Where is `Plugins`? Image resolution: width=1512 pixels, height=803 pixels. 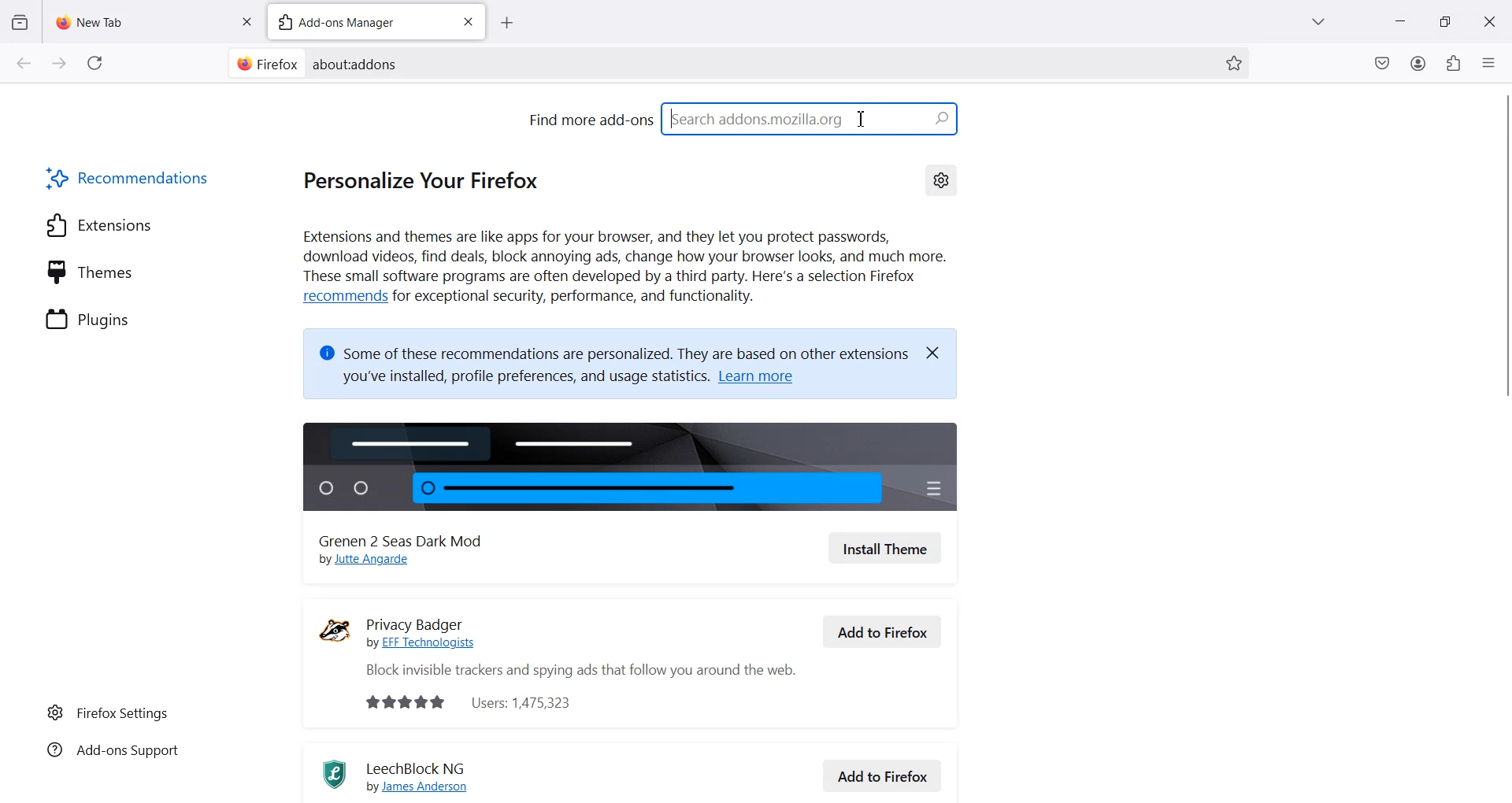 Plugins is located at coordinates (90, 317).